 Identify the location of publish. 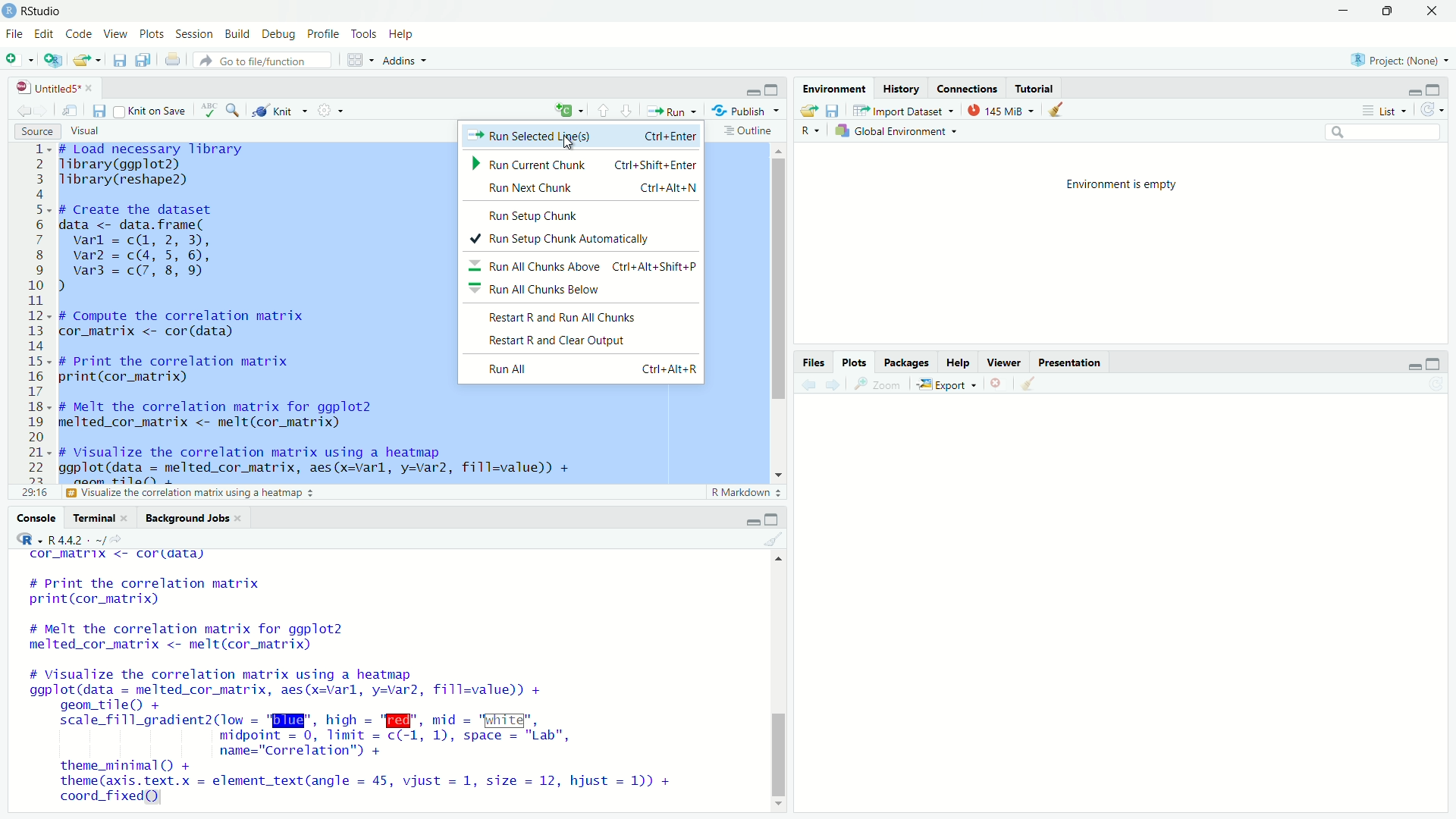
(745, 111).